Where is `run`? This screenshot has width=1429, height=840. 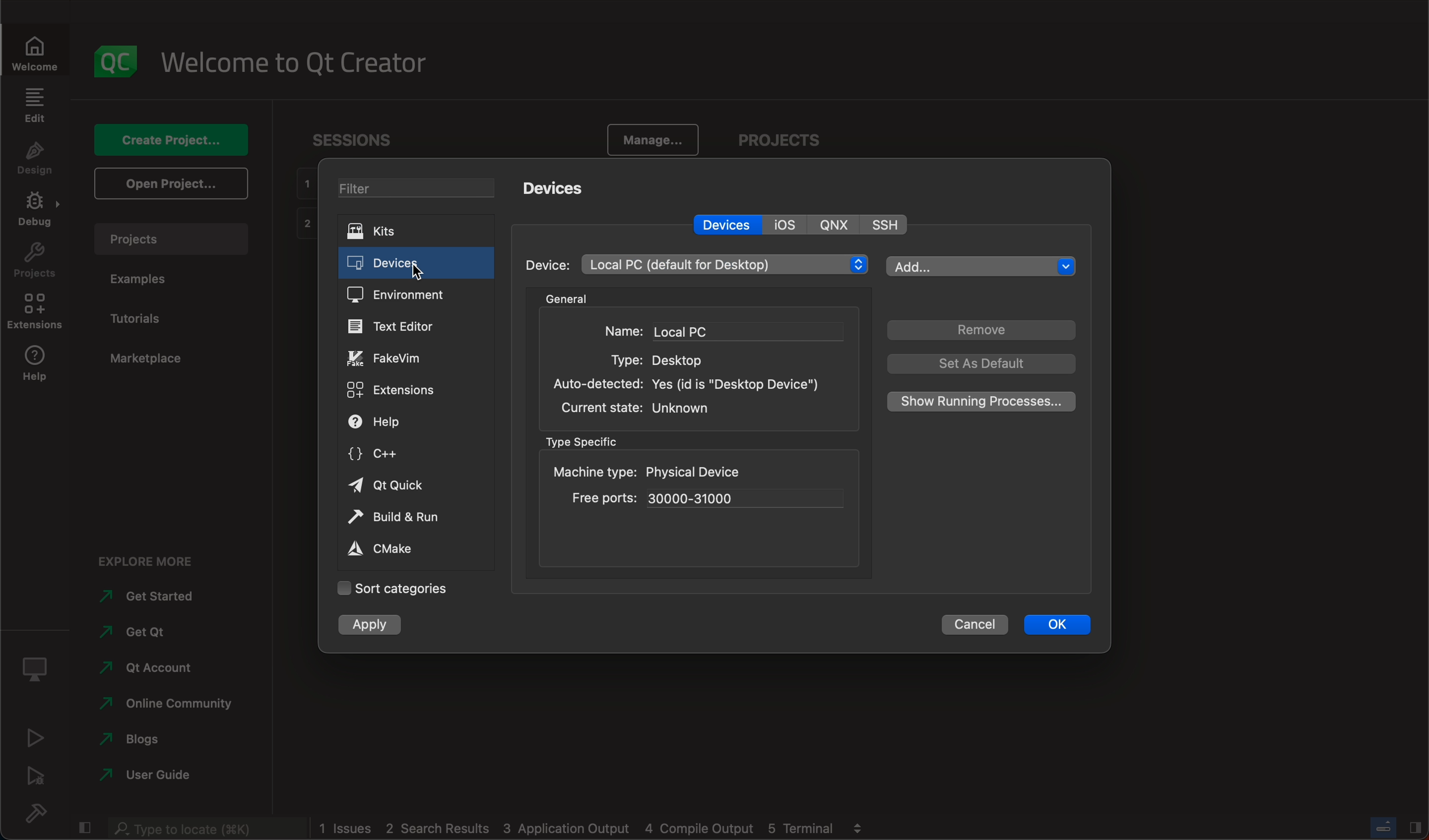
run is located at coordinates (34, 740).